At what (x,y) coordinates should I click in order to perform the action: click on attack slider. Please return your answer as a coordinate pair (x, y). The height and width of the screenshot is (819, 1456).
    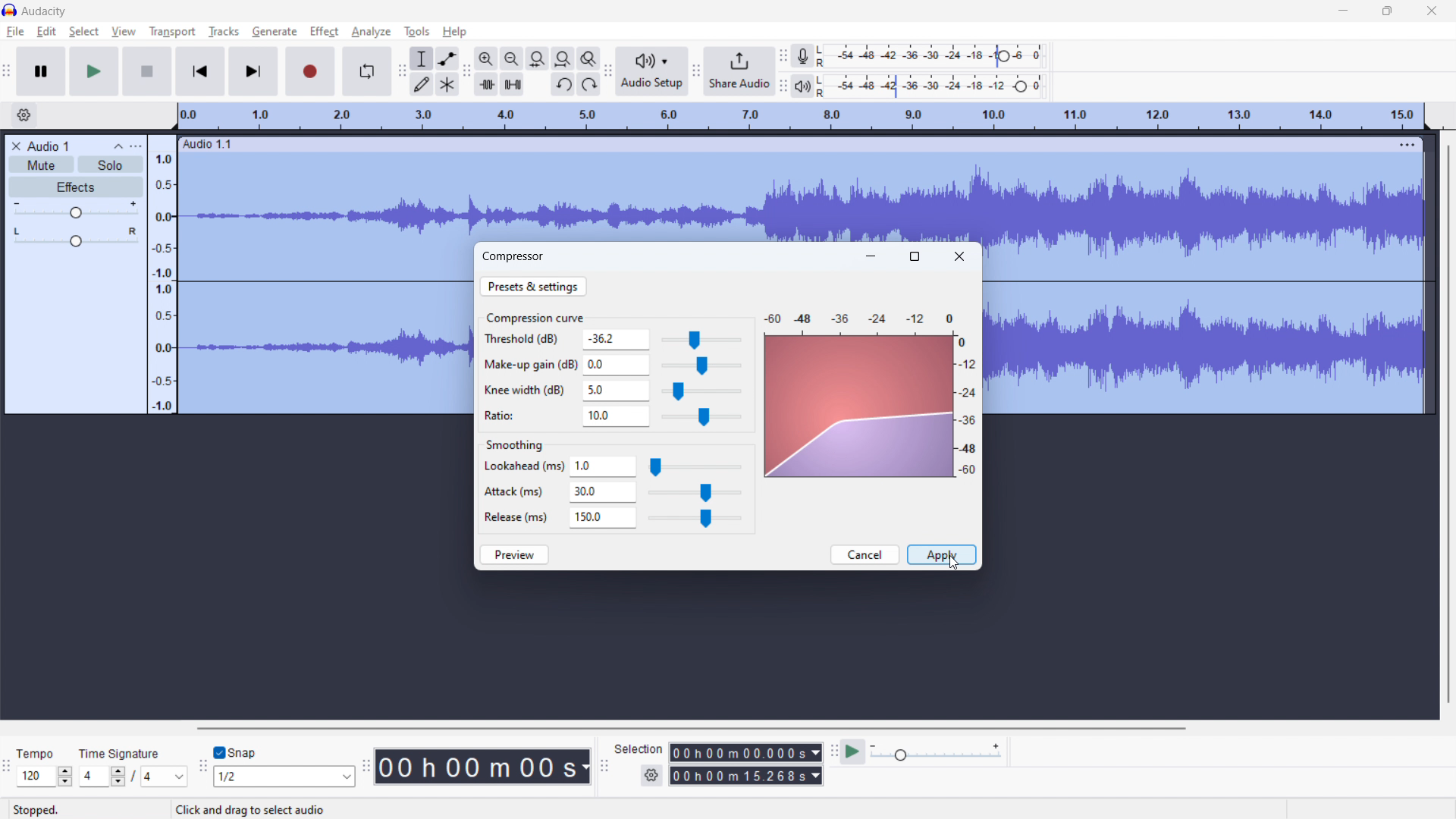
    Looking at the image, I should click on (695, 494).